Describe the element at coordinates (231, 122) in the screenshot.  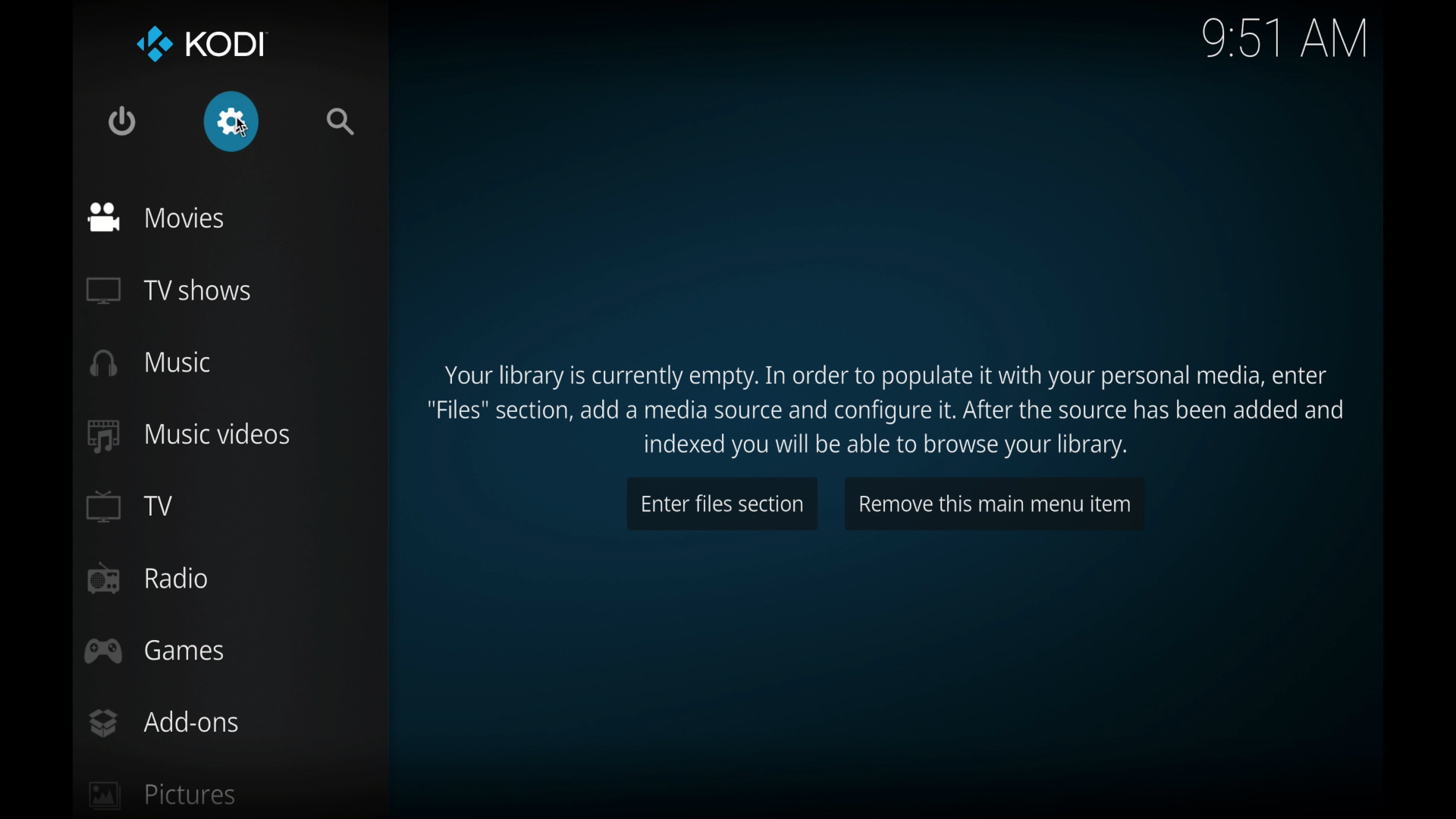
I see `settings` at that location.